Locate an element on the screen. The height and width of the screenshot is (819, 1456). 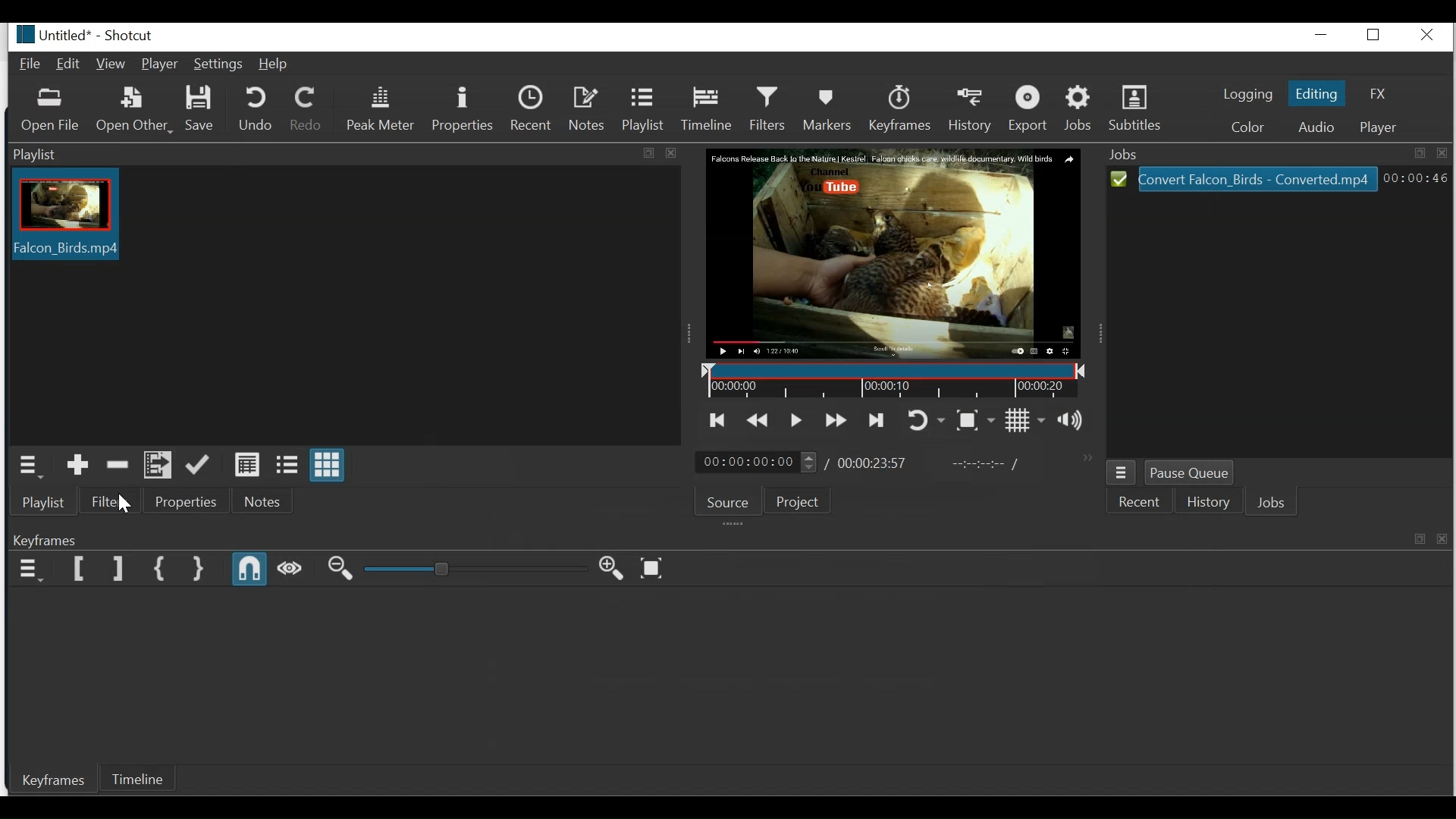
View as Icons is located at coordinates (328, 466).